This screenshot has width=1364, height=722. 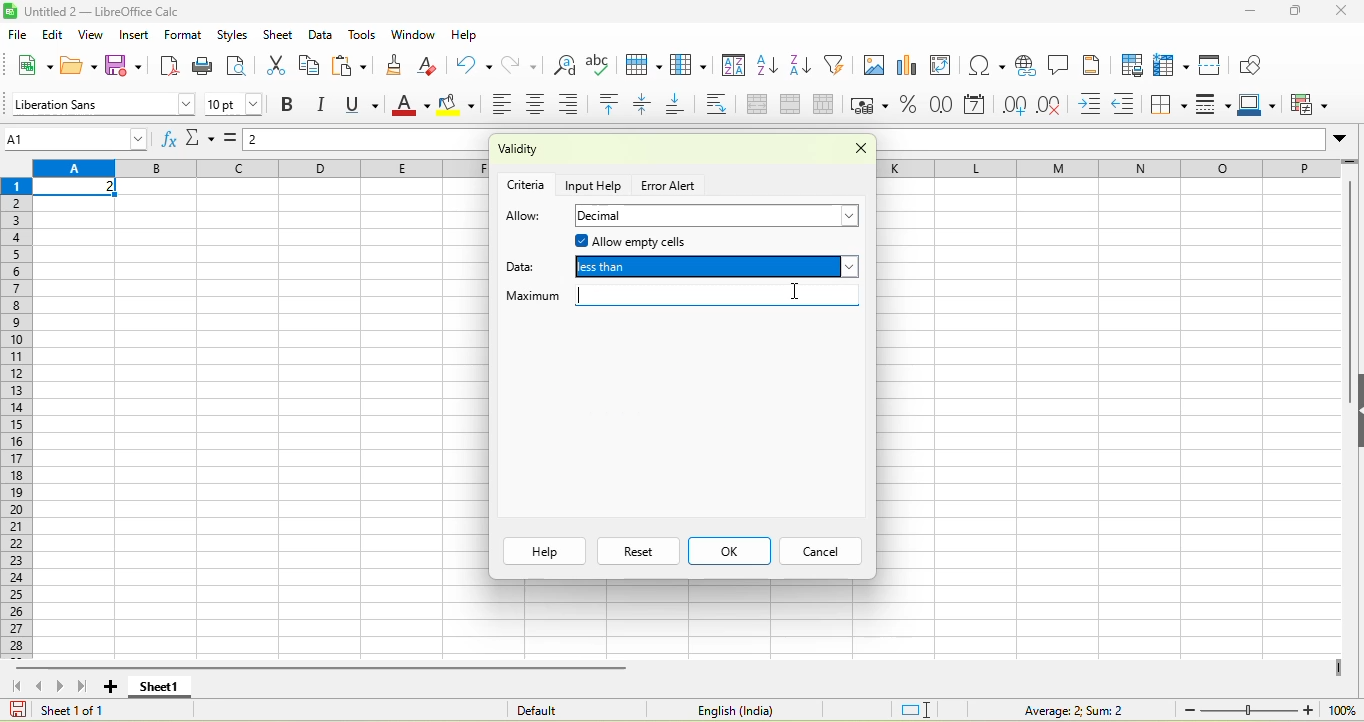 What do you see at coordinates (15, 685) in the screenshot?
I see `scroll to first sheet` at bounding box center [15, 685].